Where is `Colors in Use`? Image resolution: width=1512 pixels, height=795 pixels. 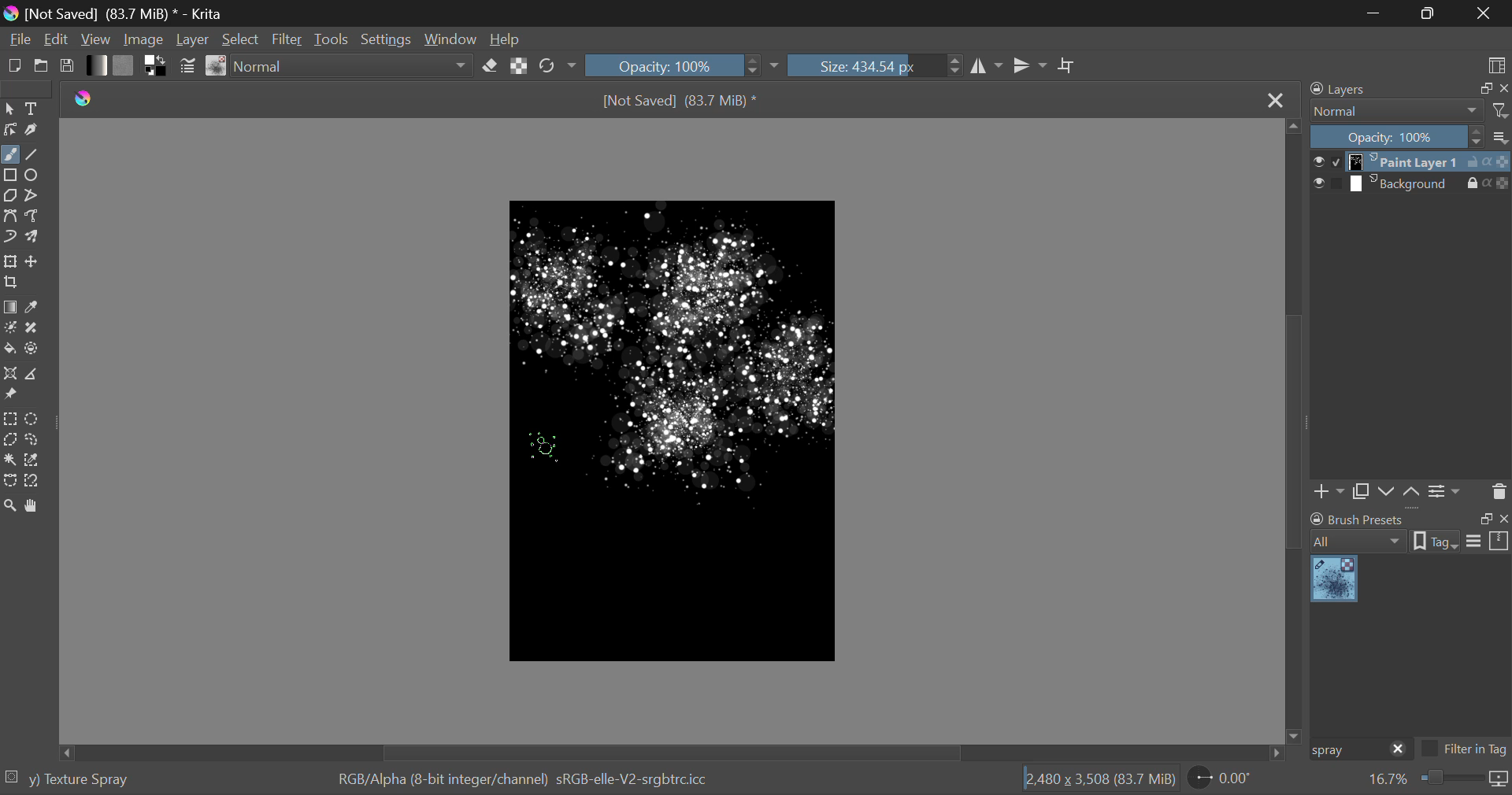 Colors in Use is located at coordinates (157, 66).